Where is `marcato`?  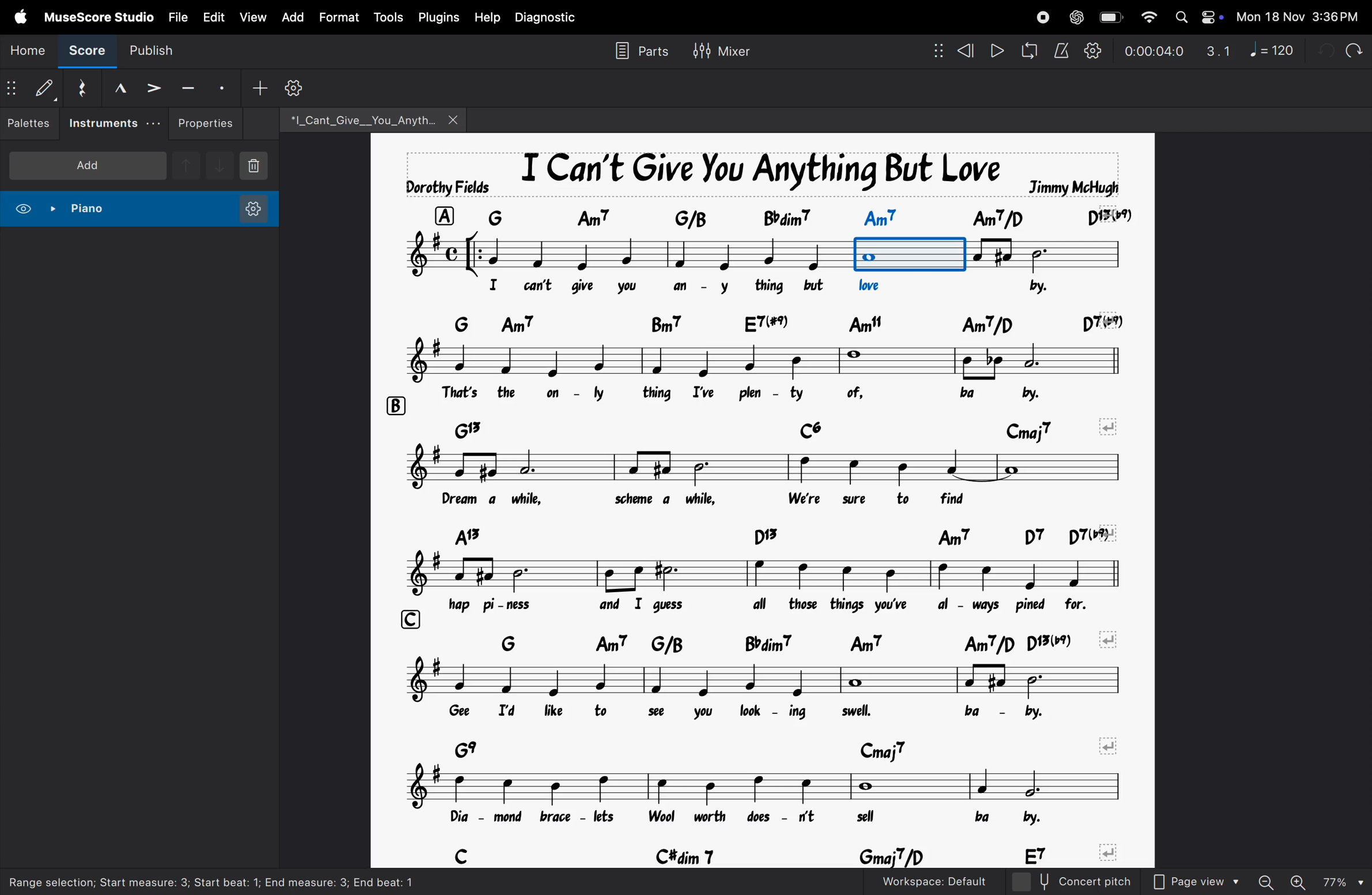 marcato is located at coordinates (120, 89).